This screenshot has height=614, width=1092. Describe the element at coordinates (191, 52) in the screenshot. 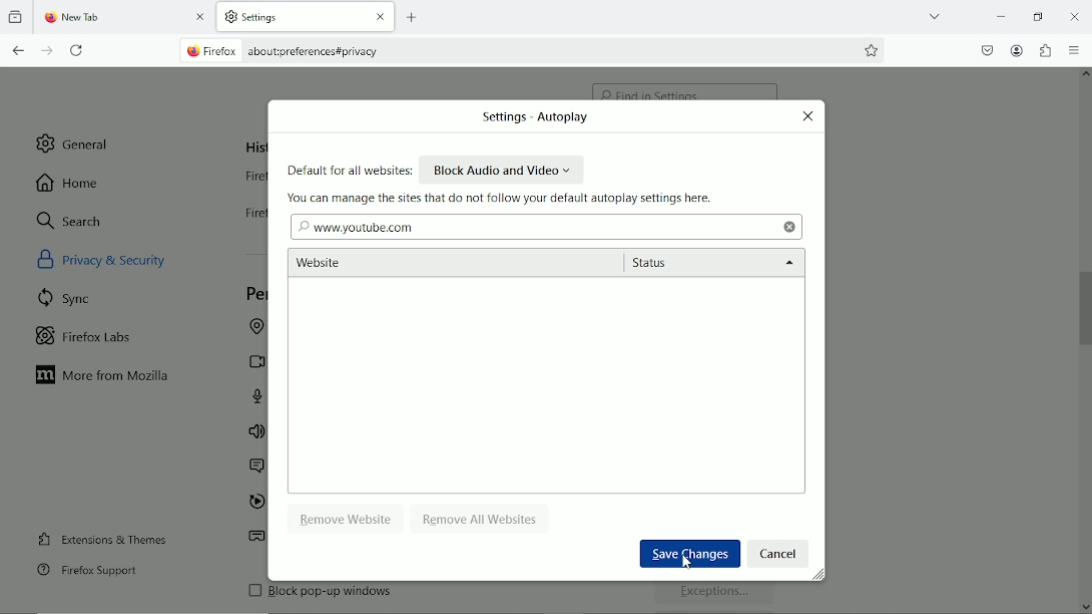

I see `firefox logo` at that location.